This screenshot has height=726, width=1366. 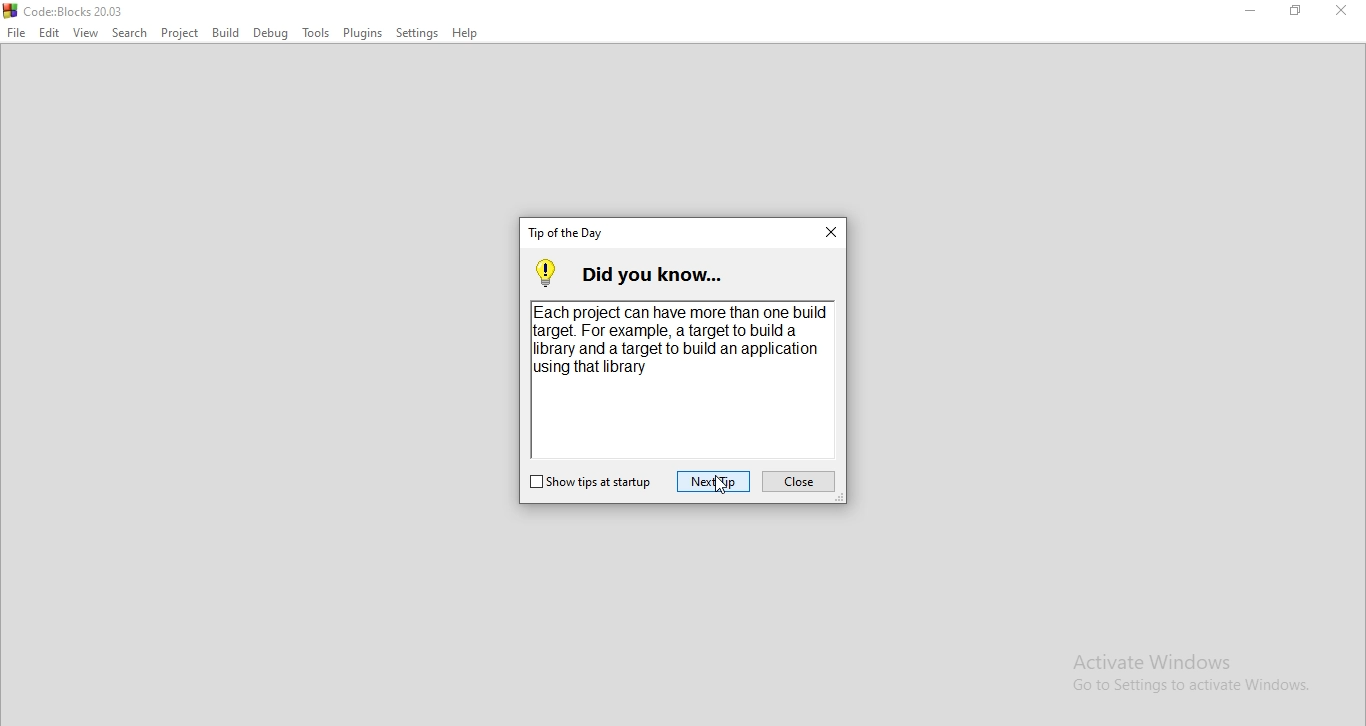 I want to click on Minimise, so click(x=1248, y=12).